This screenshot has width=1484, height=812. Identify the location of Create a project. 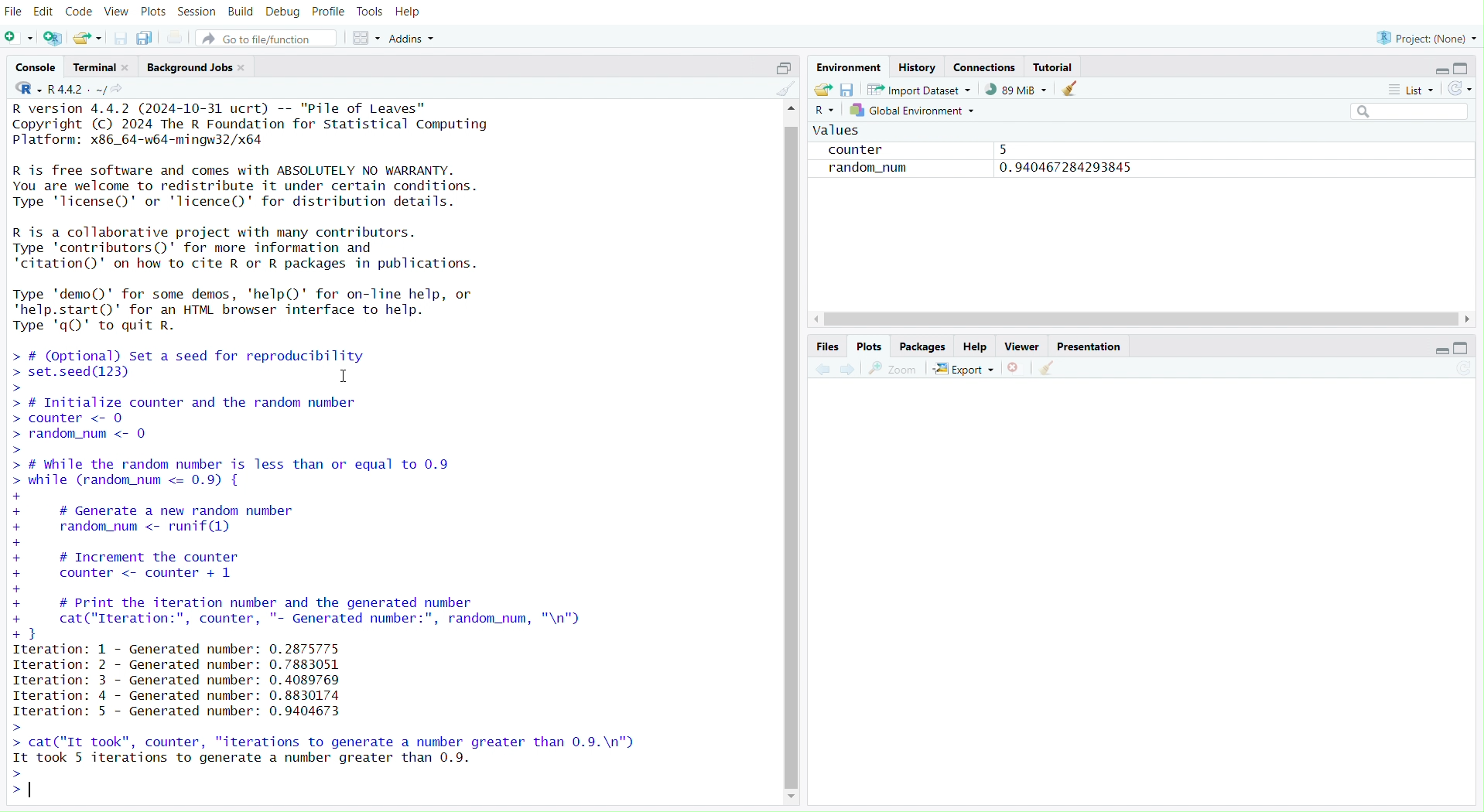
(52, 36).